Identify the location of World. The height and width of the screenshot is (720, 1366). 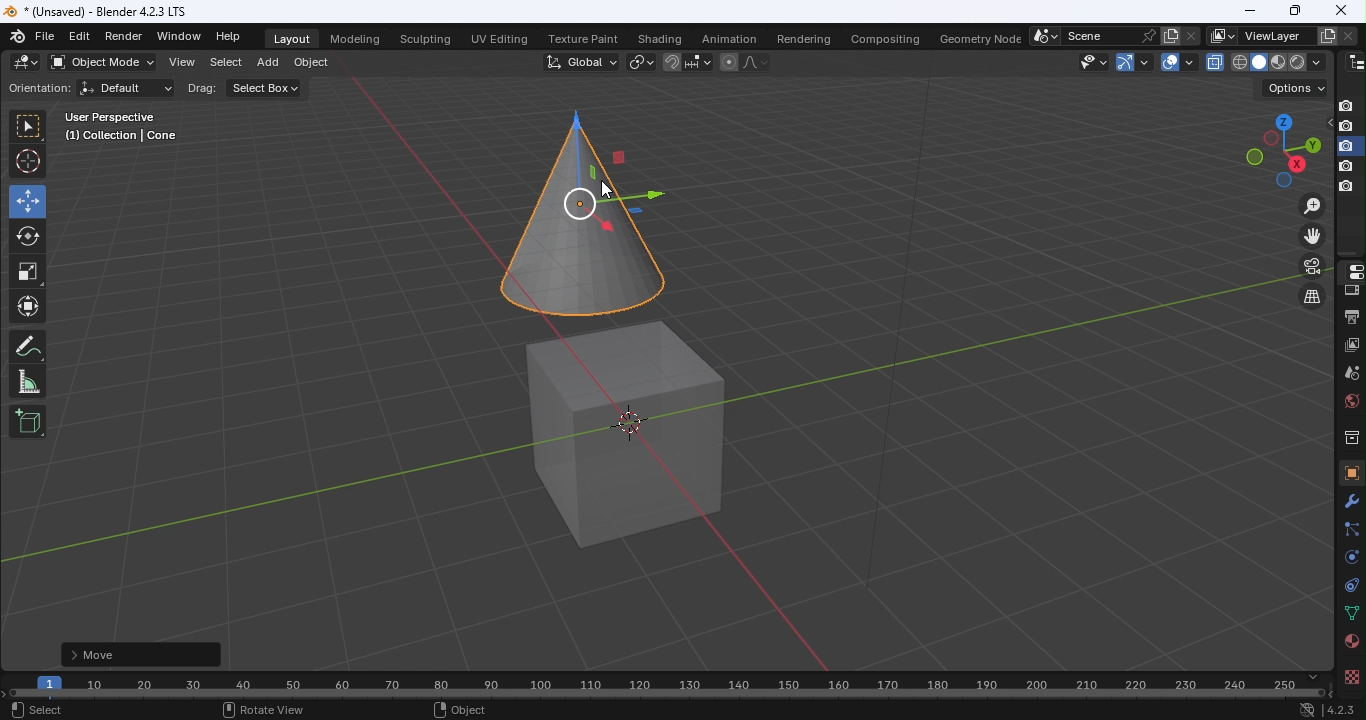
(1349, 401).